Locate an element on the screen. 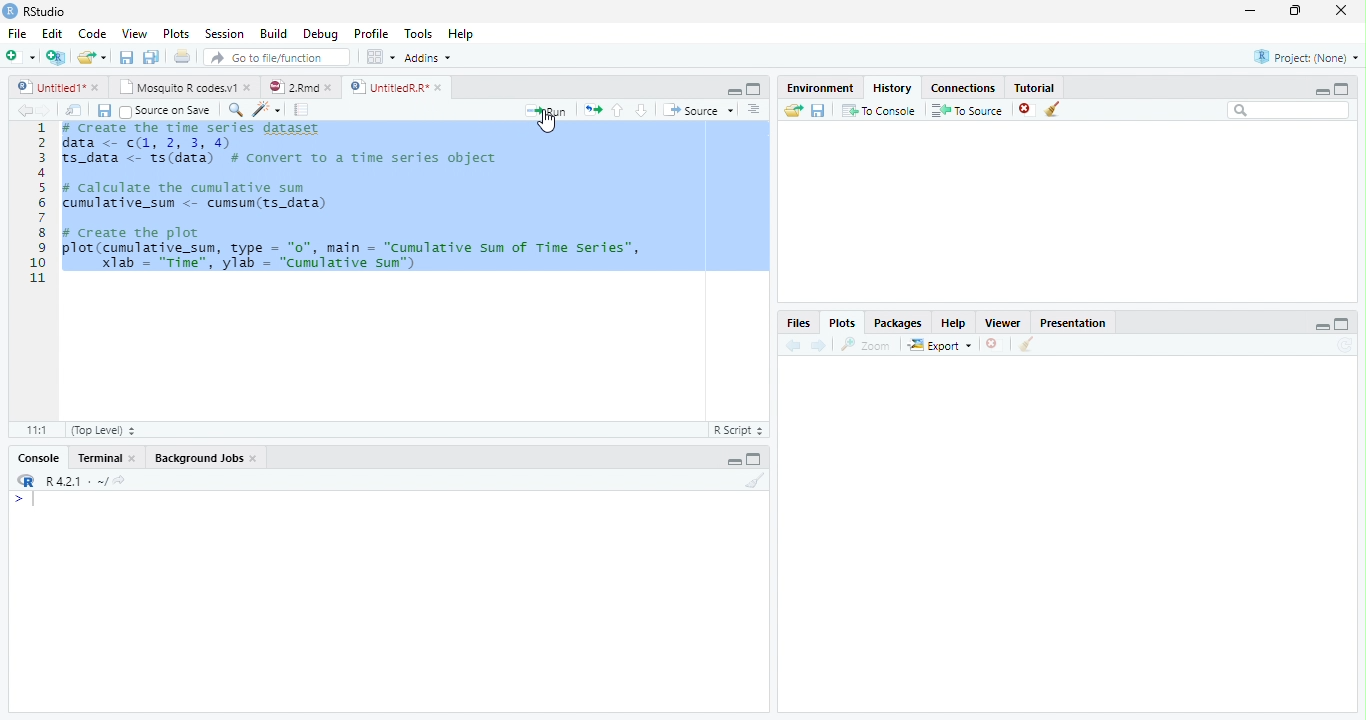 Image resolution: width=1366 pixels, height=720 pixels. File is located at coordinates (16, 34).